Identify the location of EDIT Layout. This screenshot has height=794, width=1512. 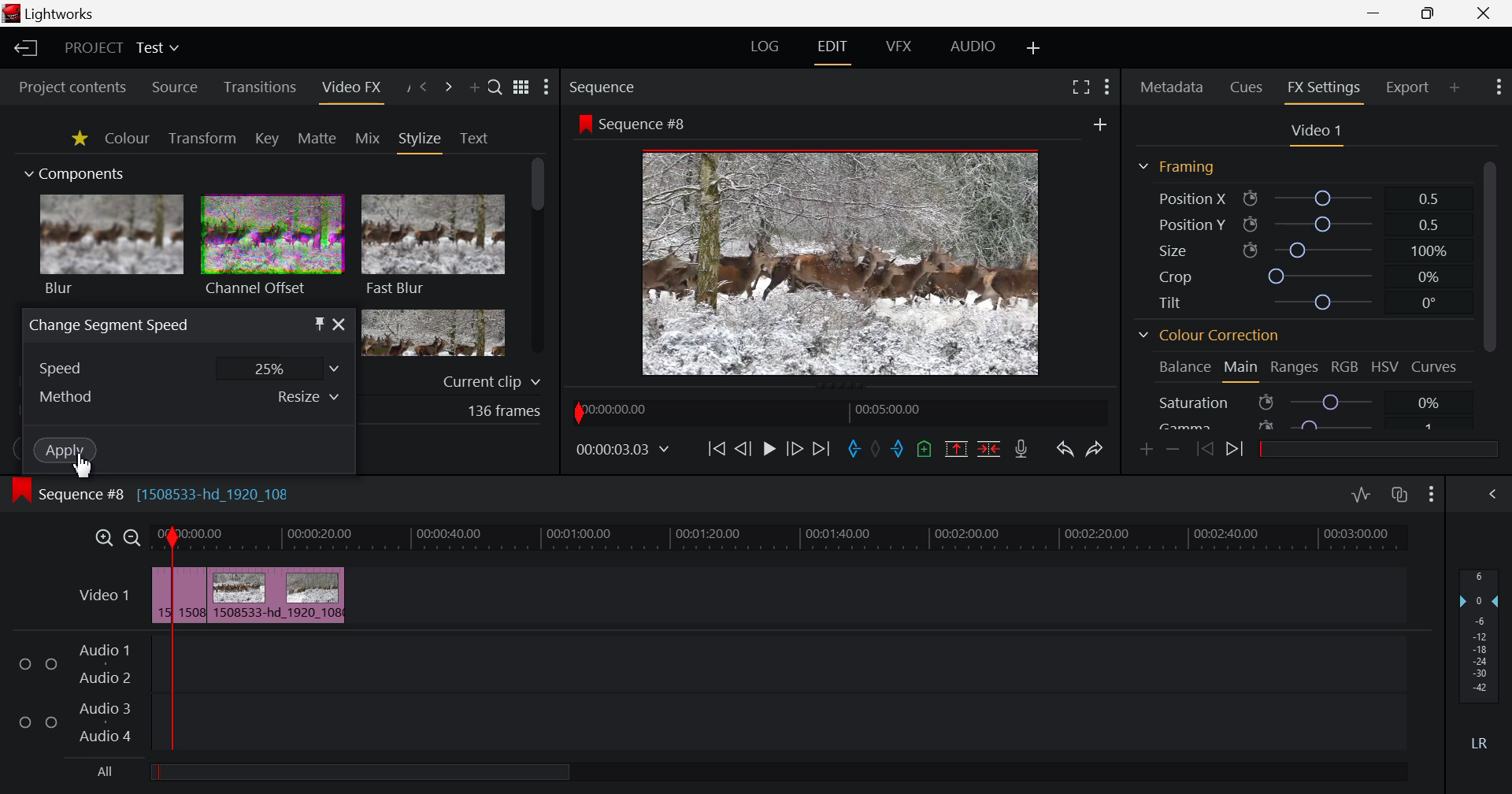
(831, 50).